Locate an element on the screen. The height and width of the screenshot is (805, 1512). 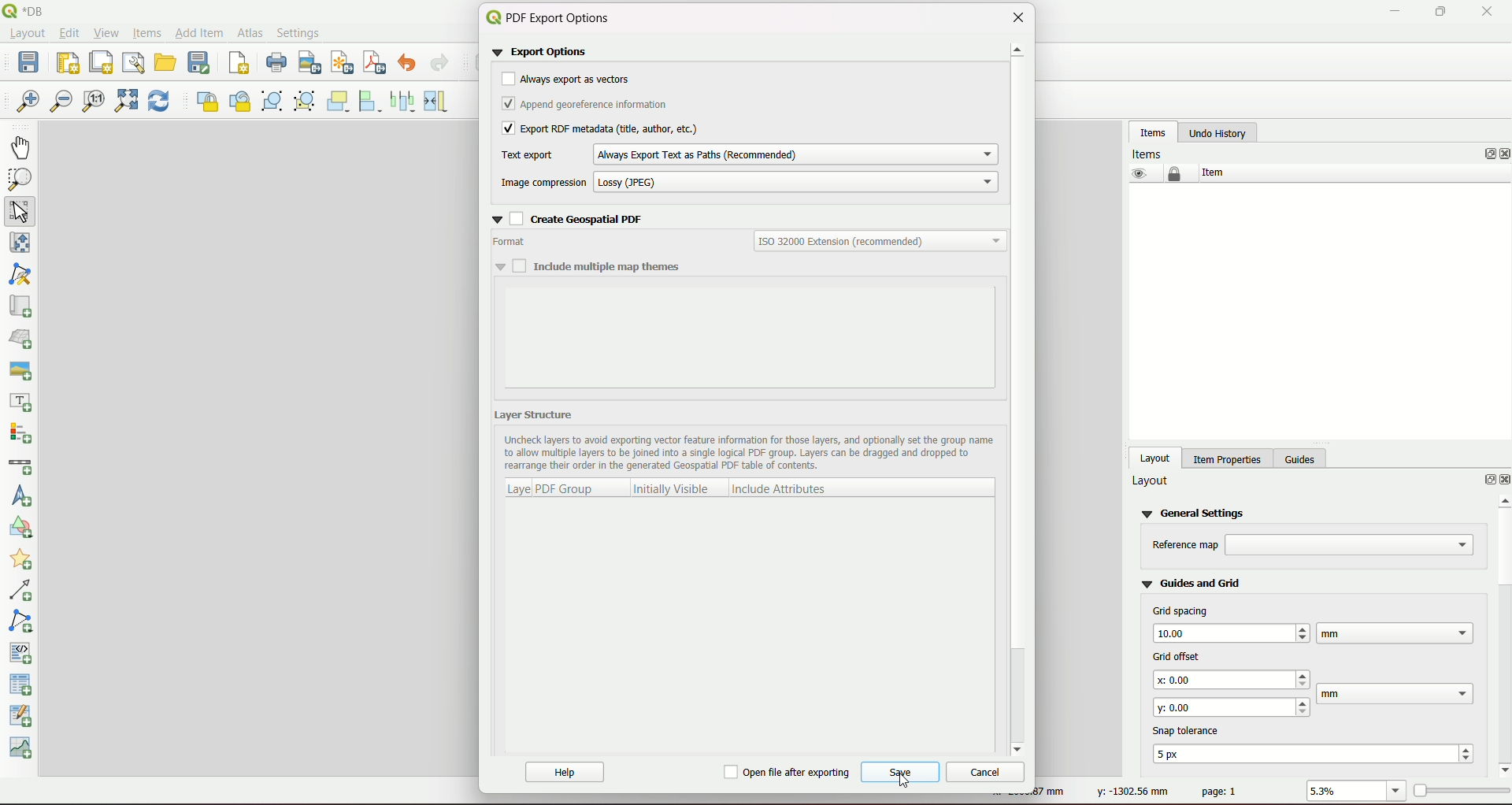
ungroup is located at coordinates (306, 102).